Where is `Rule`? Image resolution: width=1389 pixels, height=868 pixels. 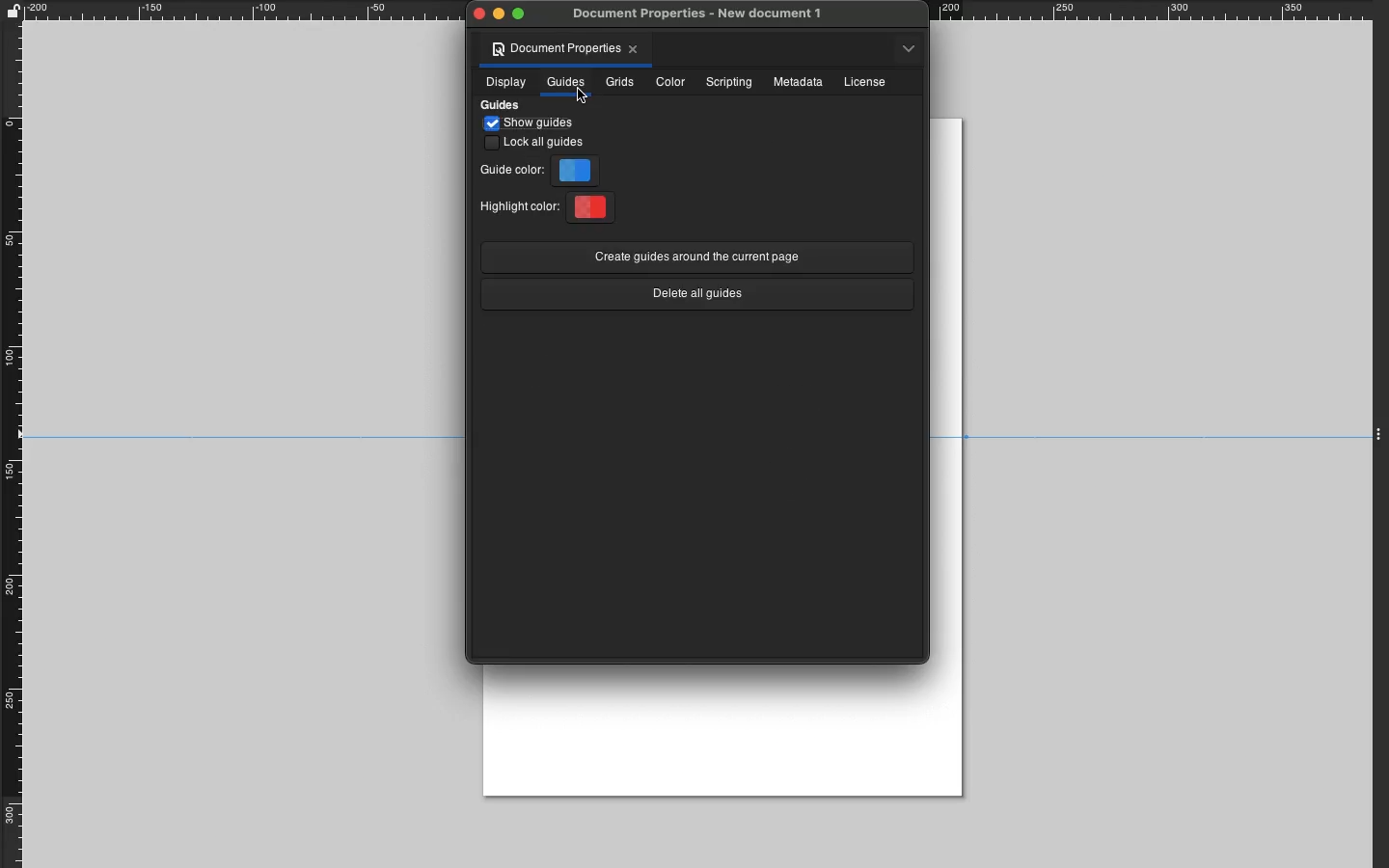 Rule is located at coordinates (13, 444).